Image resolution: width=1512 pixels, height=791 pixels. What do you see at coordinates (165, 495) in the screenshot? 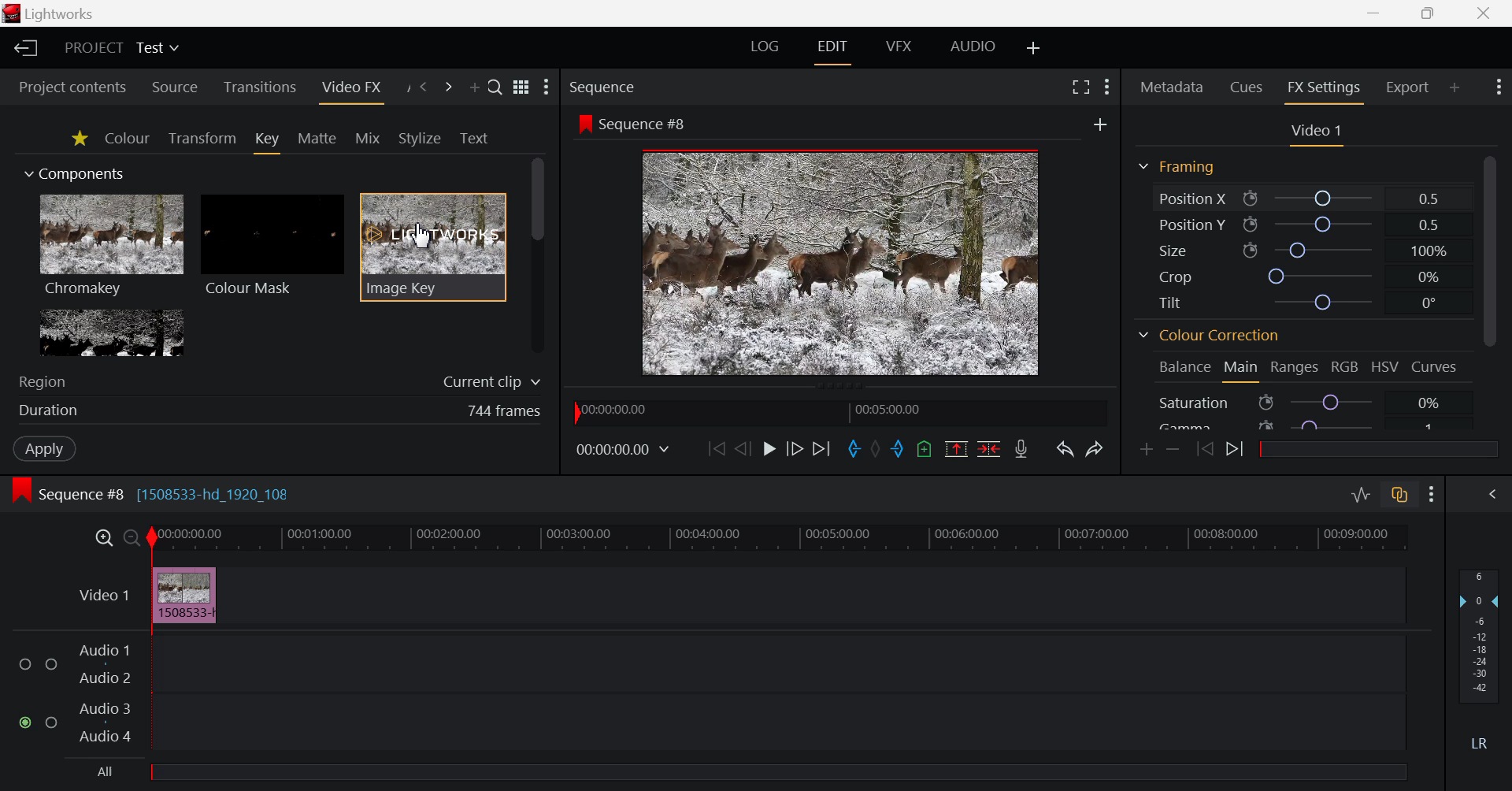
I see `Sequence #8 [1508533-hd_1920_108` at bounding box center [165, 495].